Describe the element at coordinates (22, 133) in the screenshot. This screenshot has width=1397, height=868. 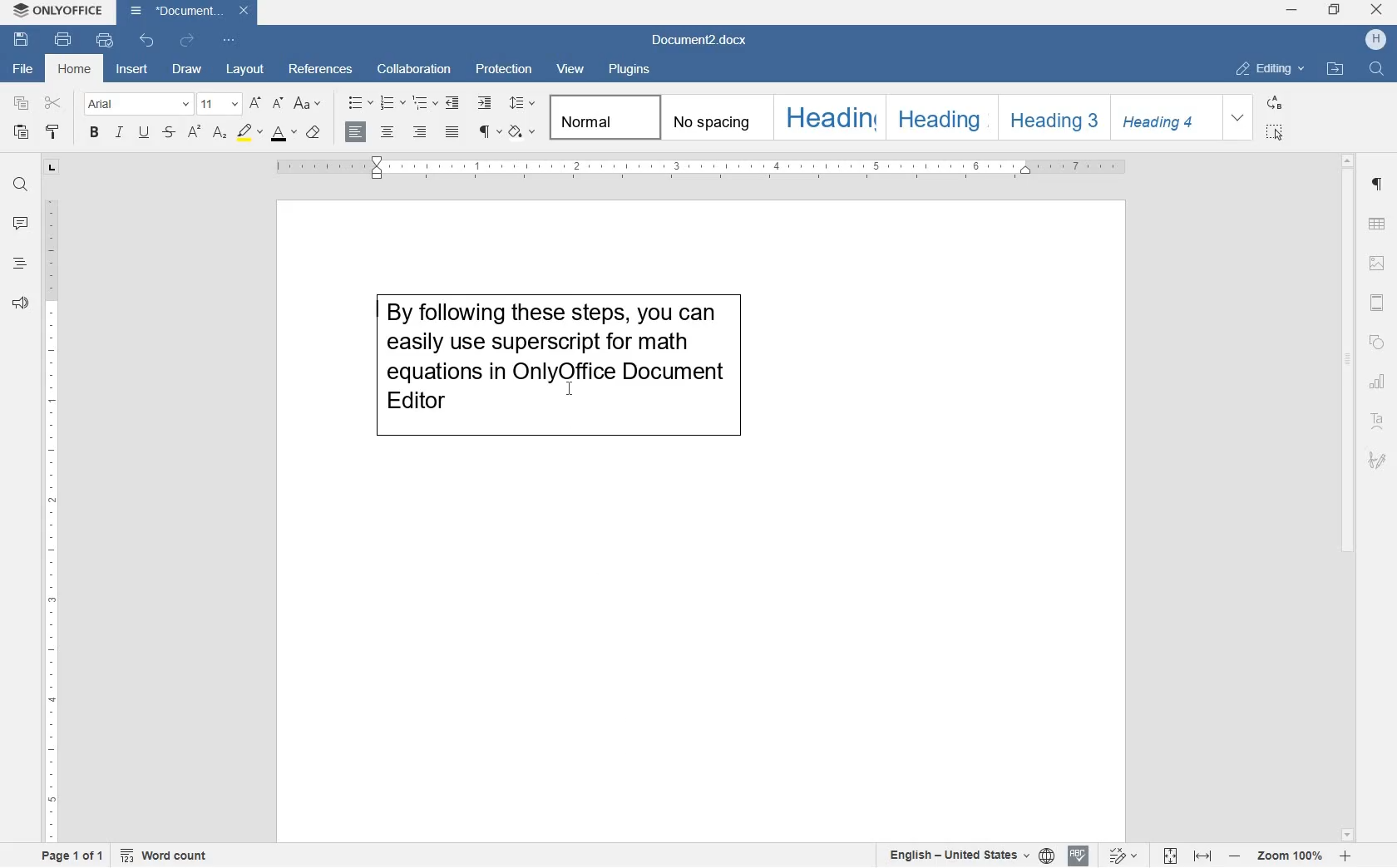
I see `paste` at that location.